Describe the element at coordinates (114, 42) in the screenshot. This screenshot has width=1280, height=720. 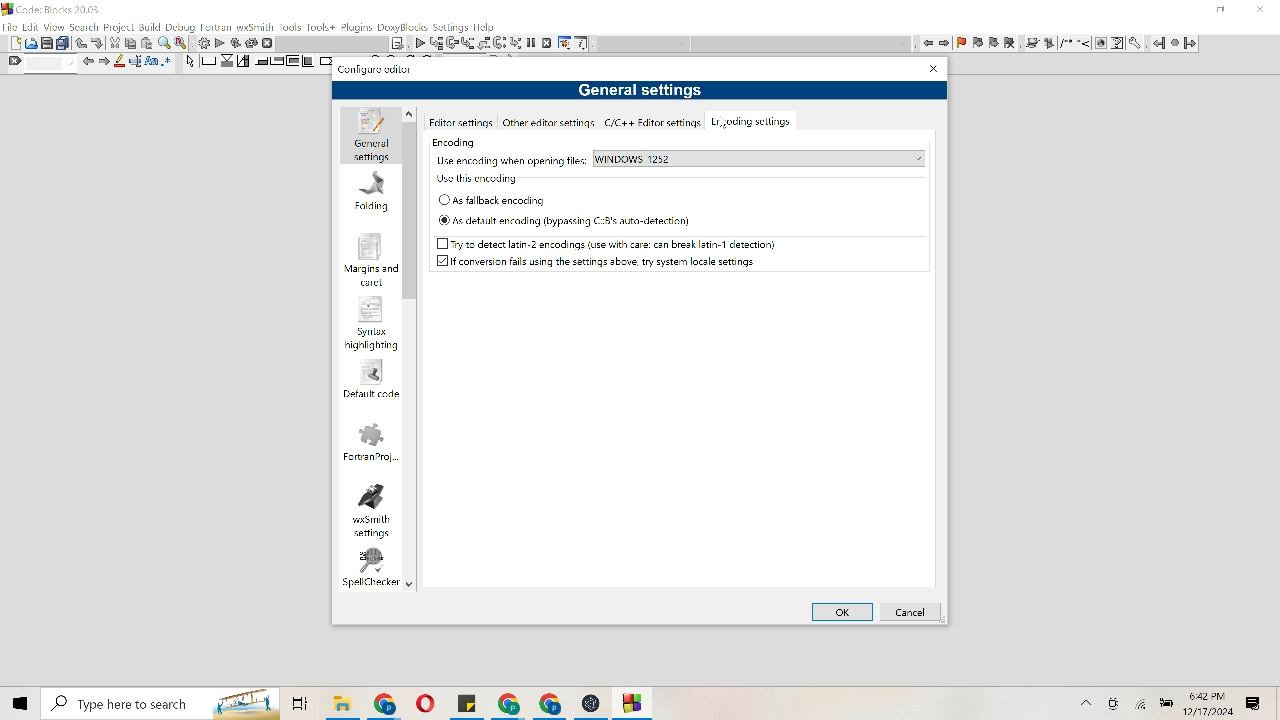
I see `Trim` at that location.